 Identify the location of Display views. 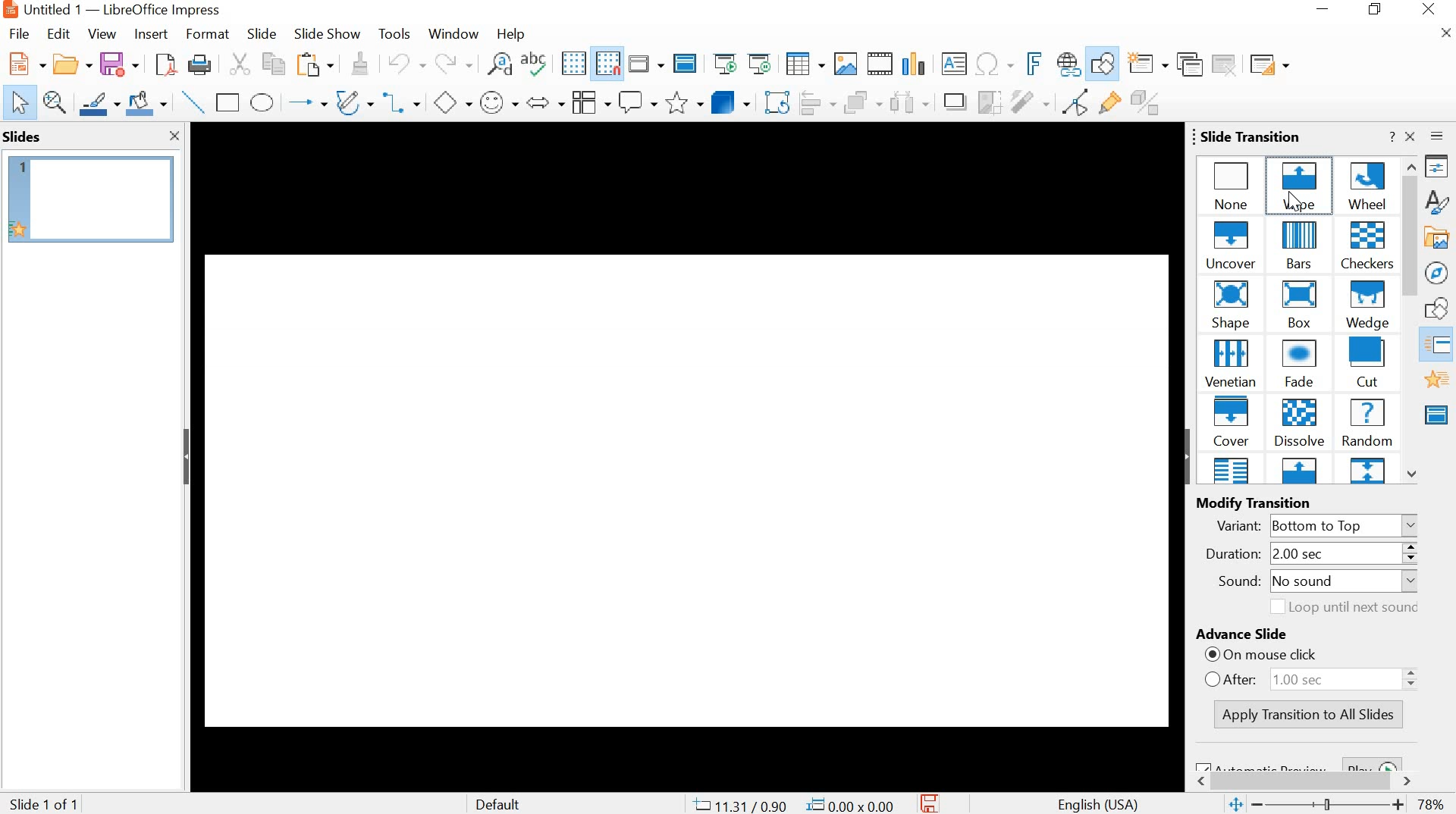
(647, 62).